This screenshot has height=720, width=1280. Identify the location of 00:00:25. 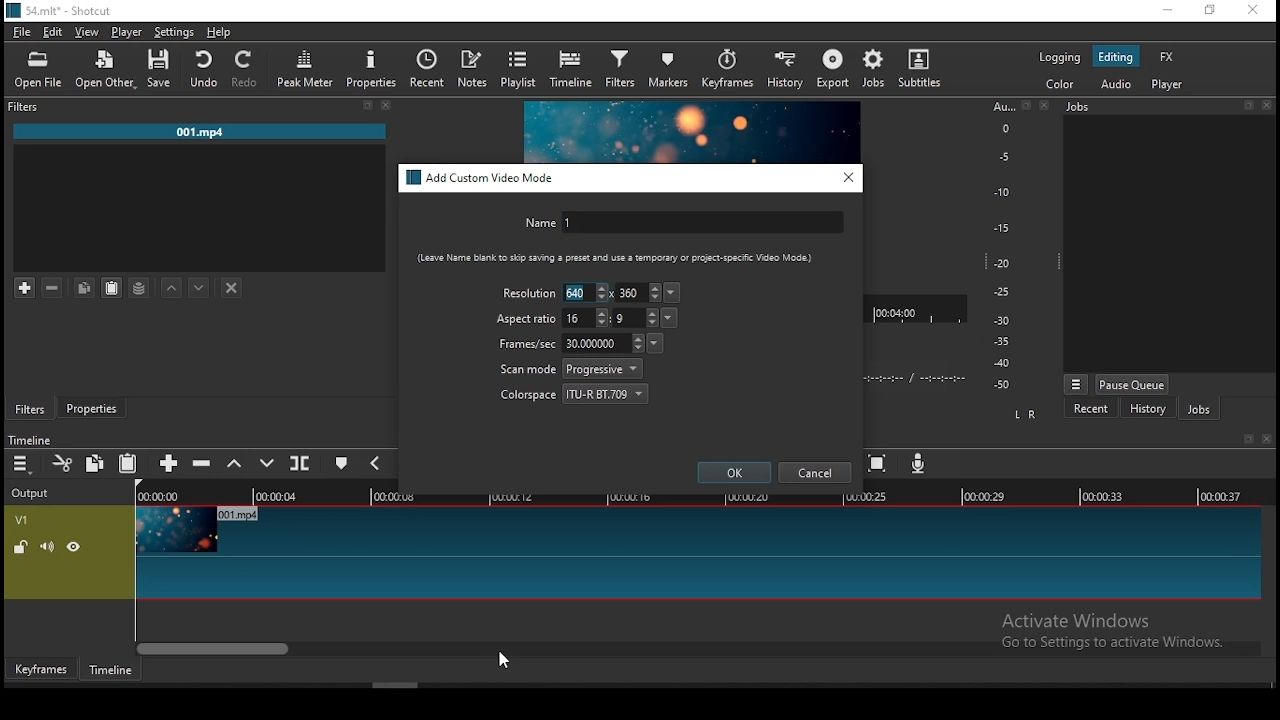
(863, 497).